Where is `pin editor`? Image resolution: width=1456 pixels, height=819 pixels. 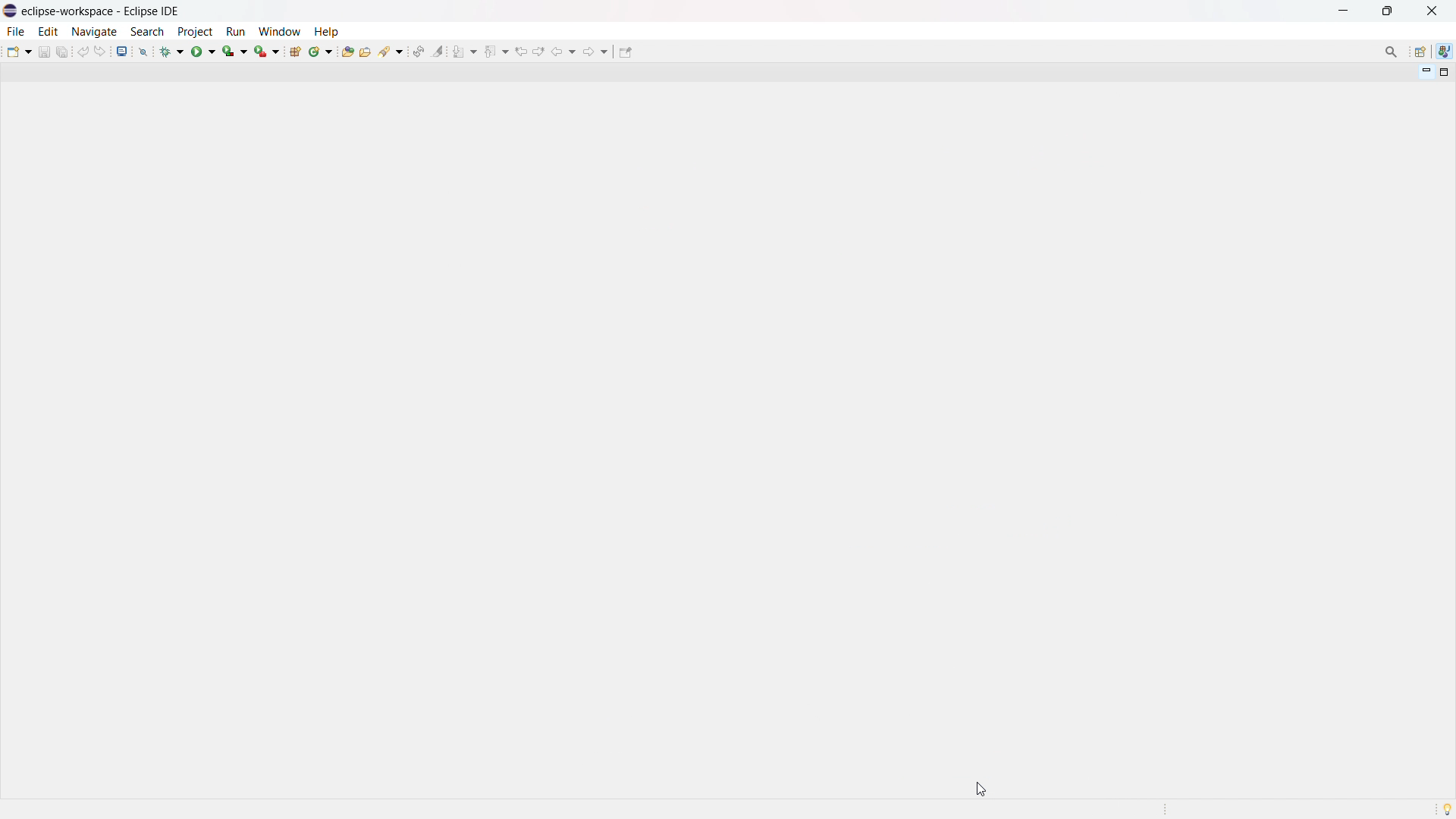 pin editor is located at coordinates (625, 52).